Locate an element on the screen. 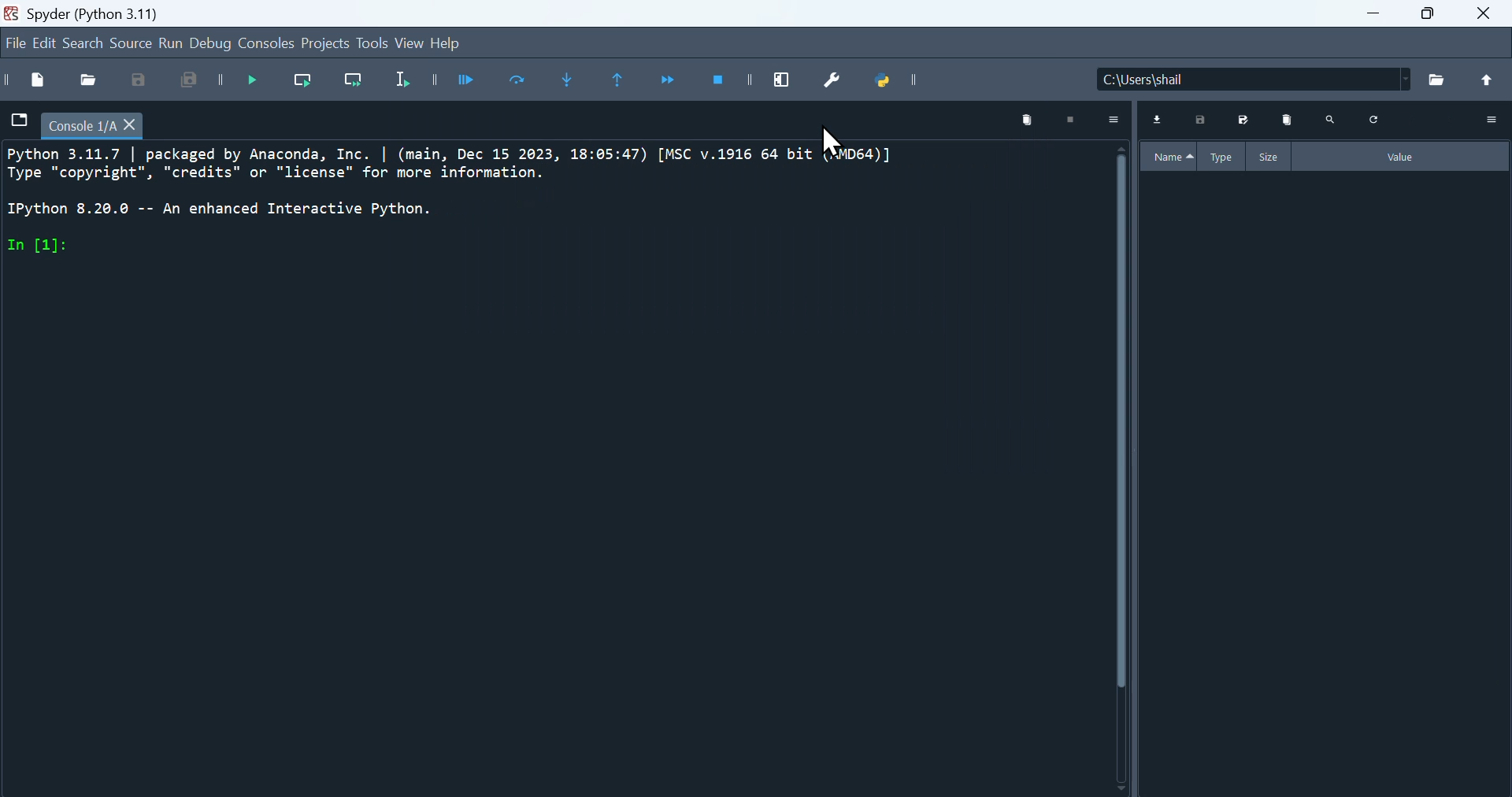  Save as is located at coordinates (136, 80).